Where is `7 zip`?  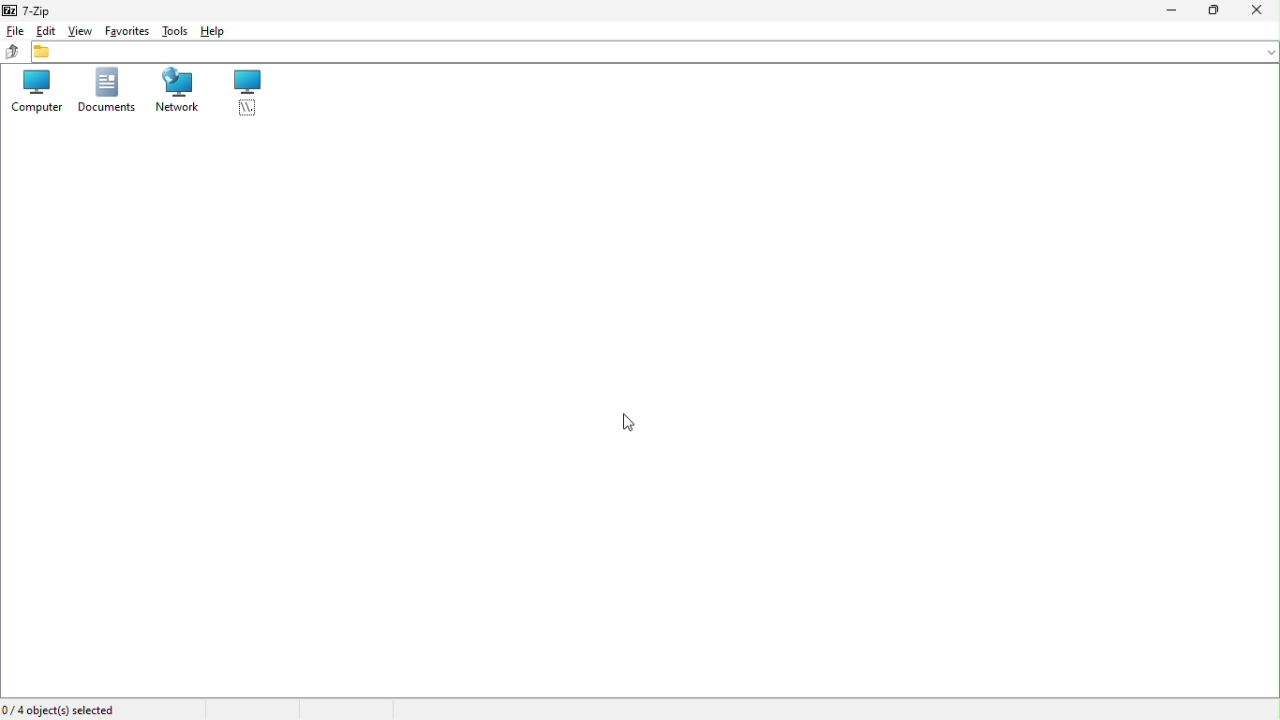
7 zip is located at coordinates (35, 10).